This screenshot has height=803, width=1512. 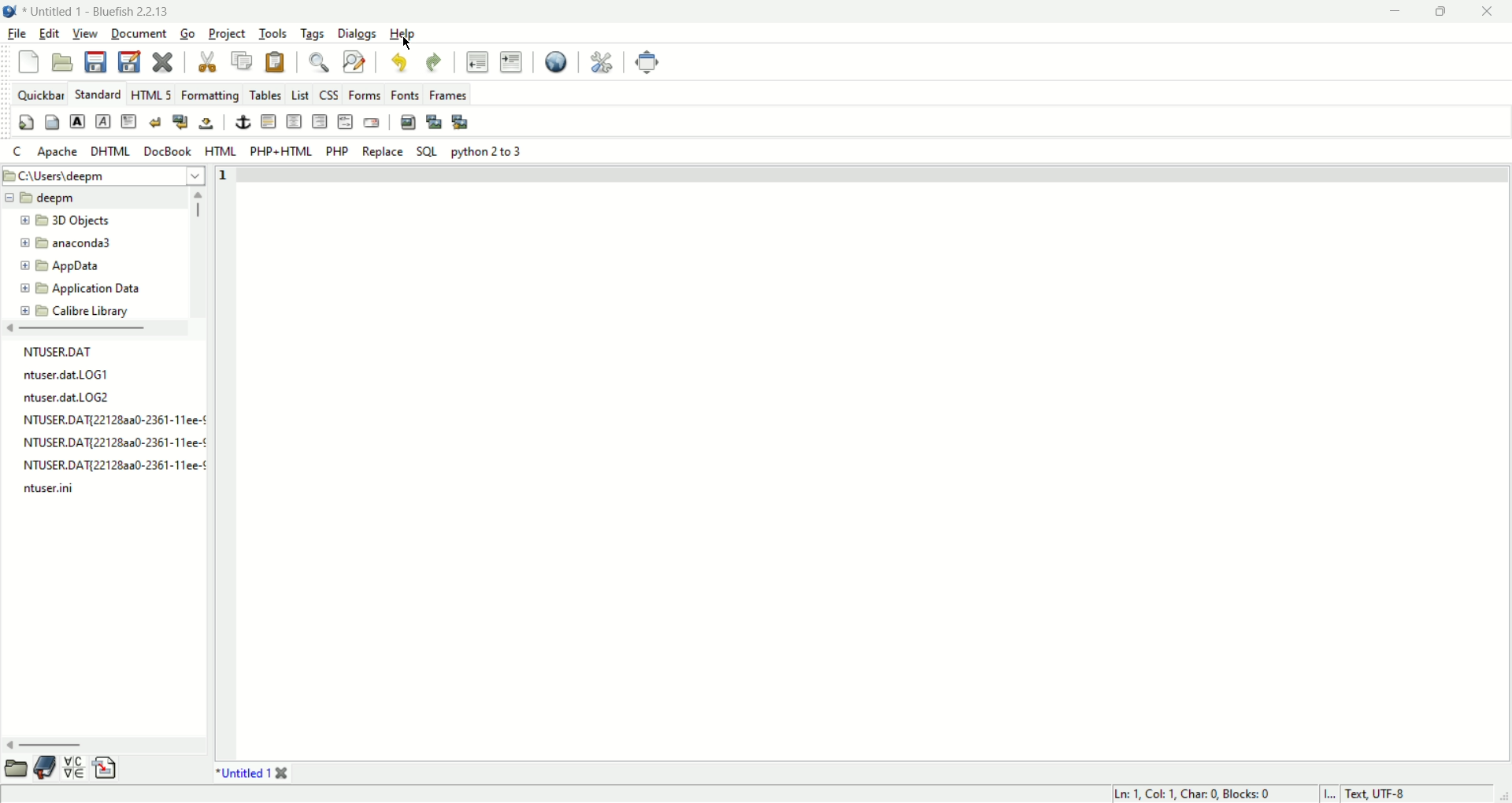 What do you see at coordinates (73, 310) in the screenshot?
I see `folder name` at bounding box center [73, 310].